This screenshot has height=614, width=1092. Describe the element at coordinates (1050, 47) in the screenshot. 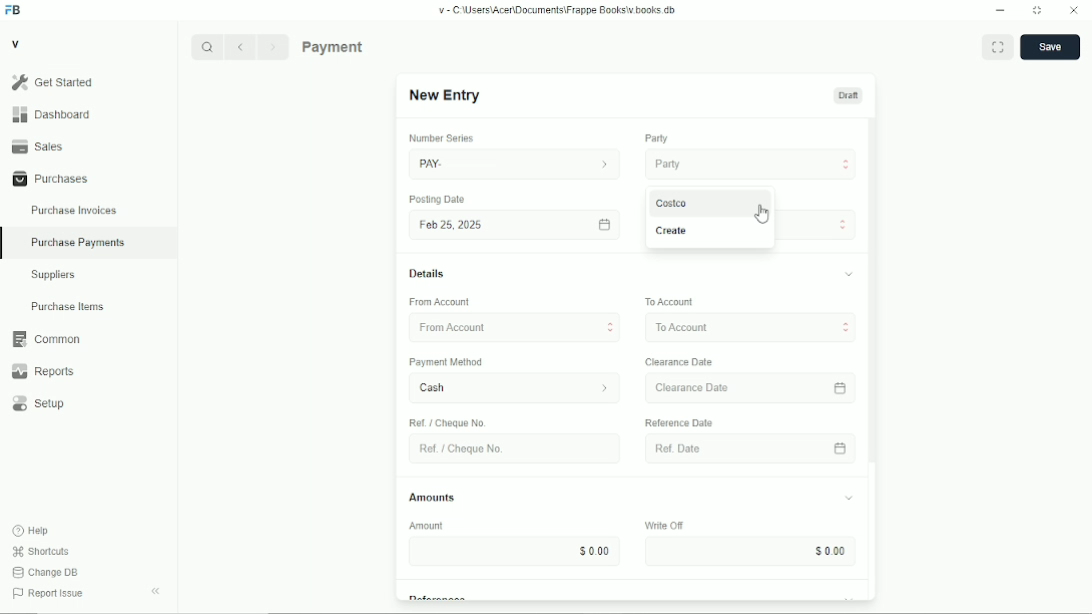

I see `save` at that location.